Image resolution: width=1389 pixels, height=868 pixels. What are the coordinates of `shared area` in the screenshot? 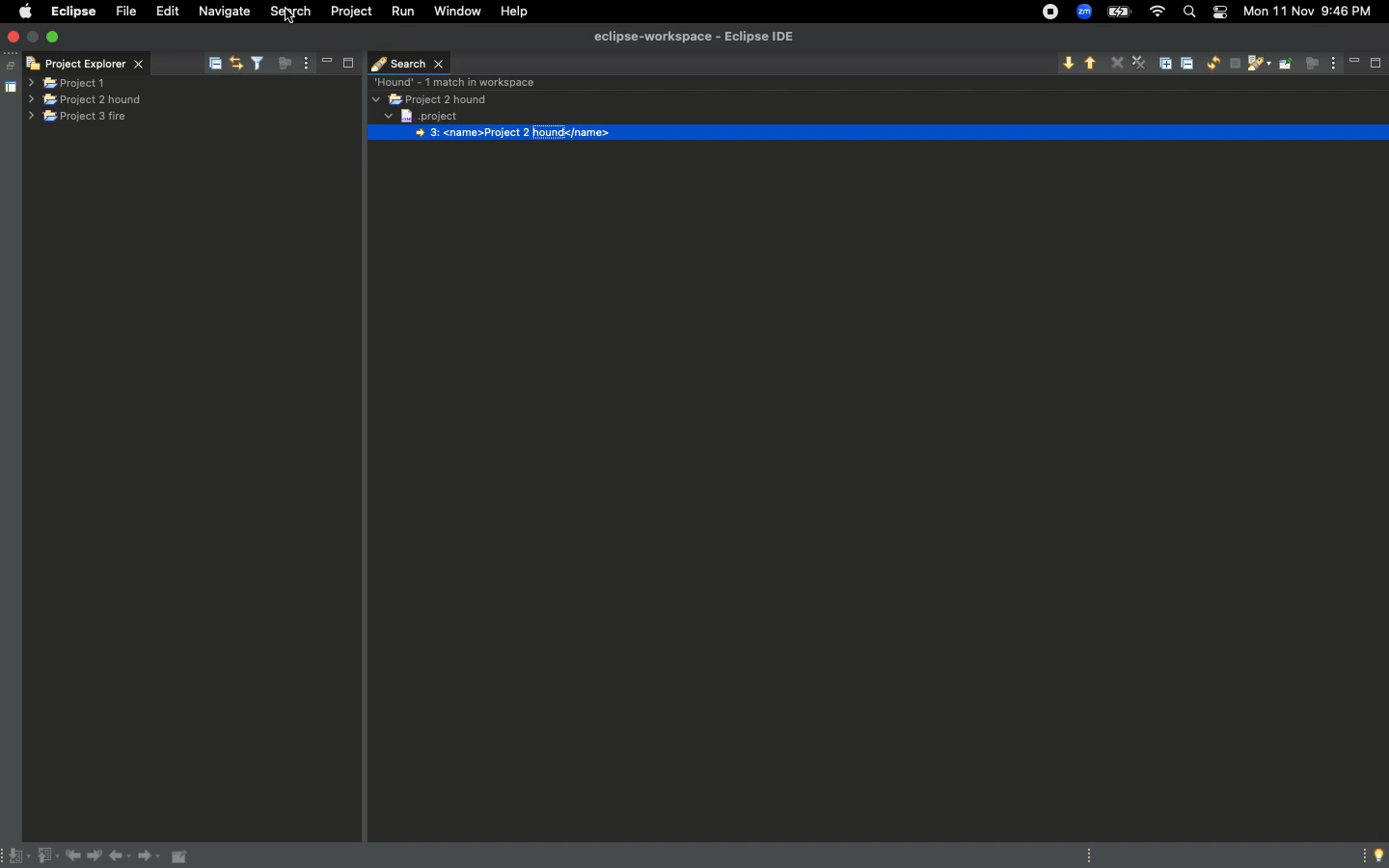 It's located at (1, 88).